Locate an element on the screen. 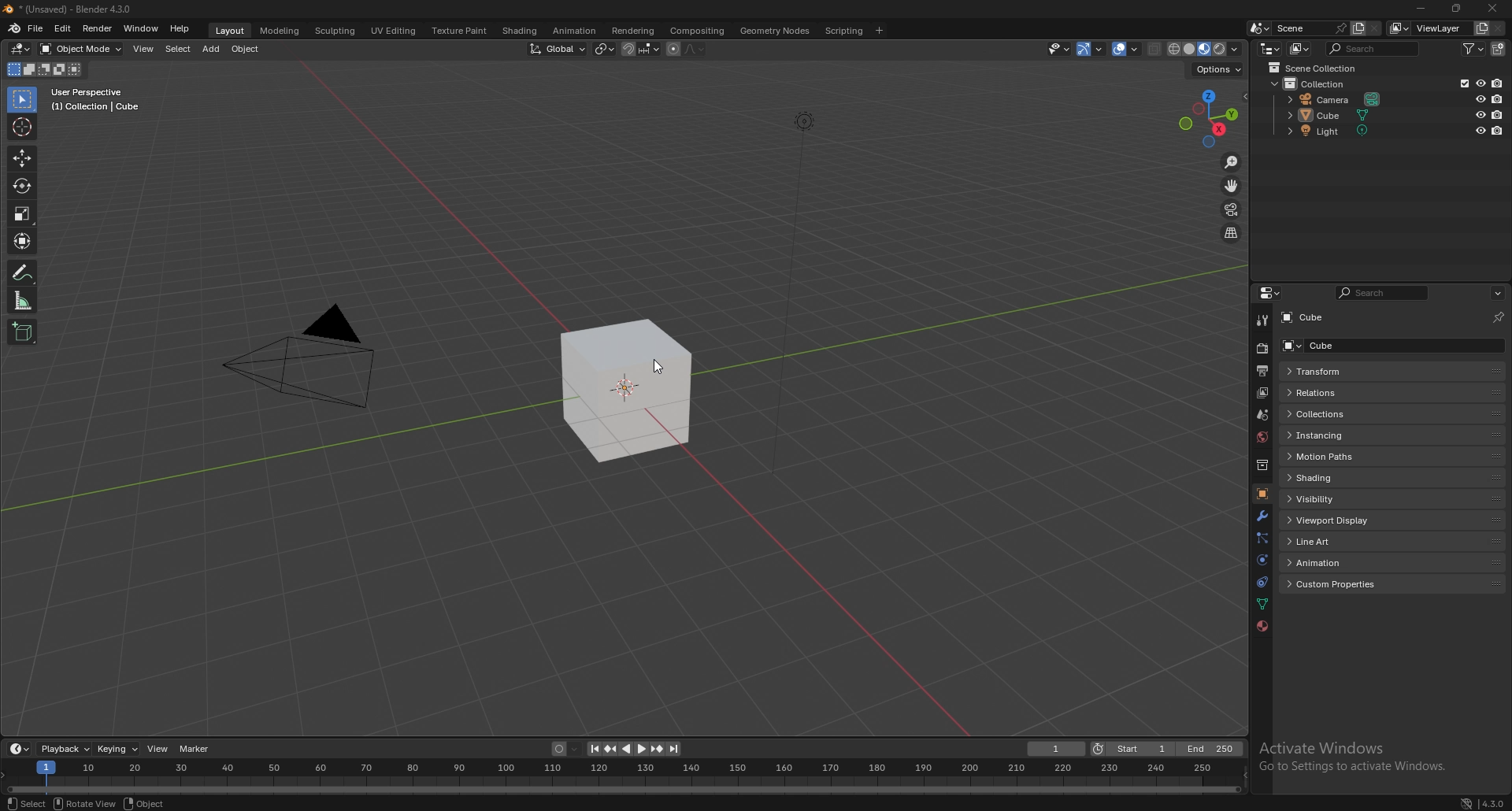 The height and width of the screenshot is (811, 1512). layout is located at coordinates (229, 31).